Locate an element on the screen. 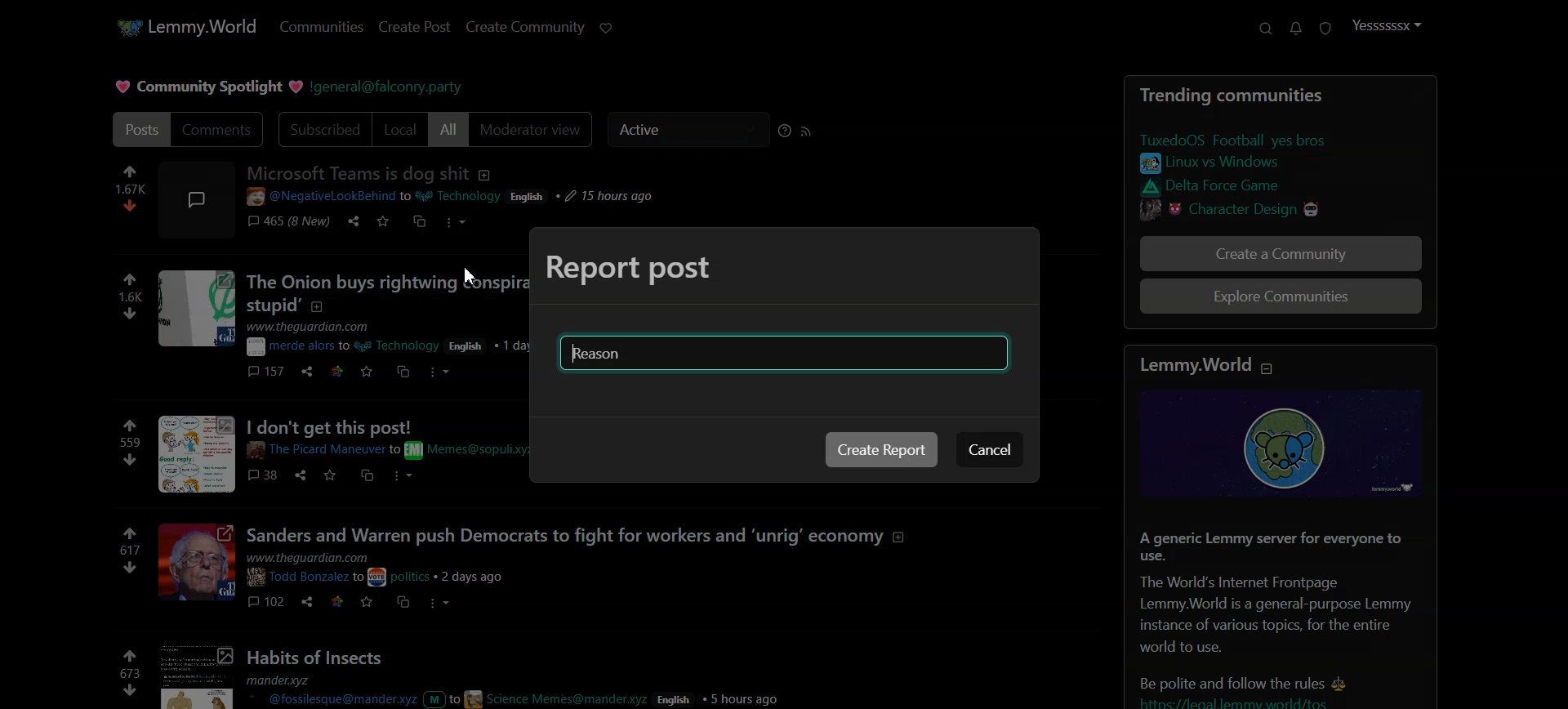 The width and height of the screenshot is (1568, 709). Text is located at coordinates (1279, 95).